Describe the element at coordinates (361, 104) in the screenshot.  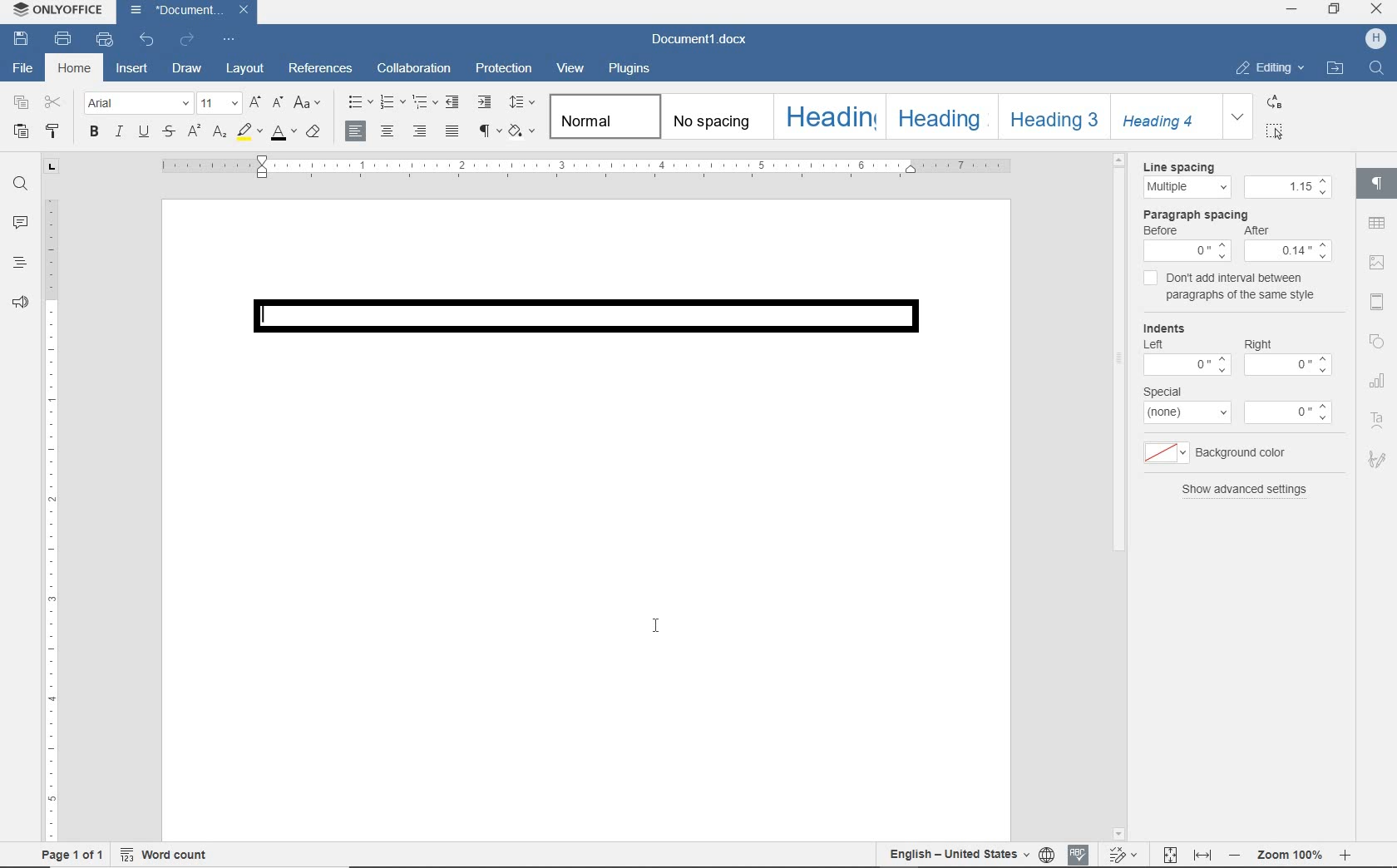
I see `bullets` at that location.